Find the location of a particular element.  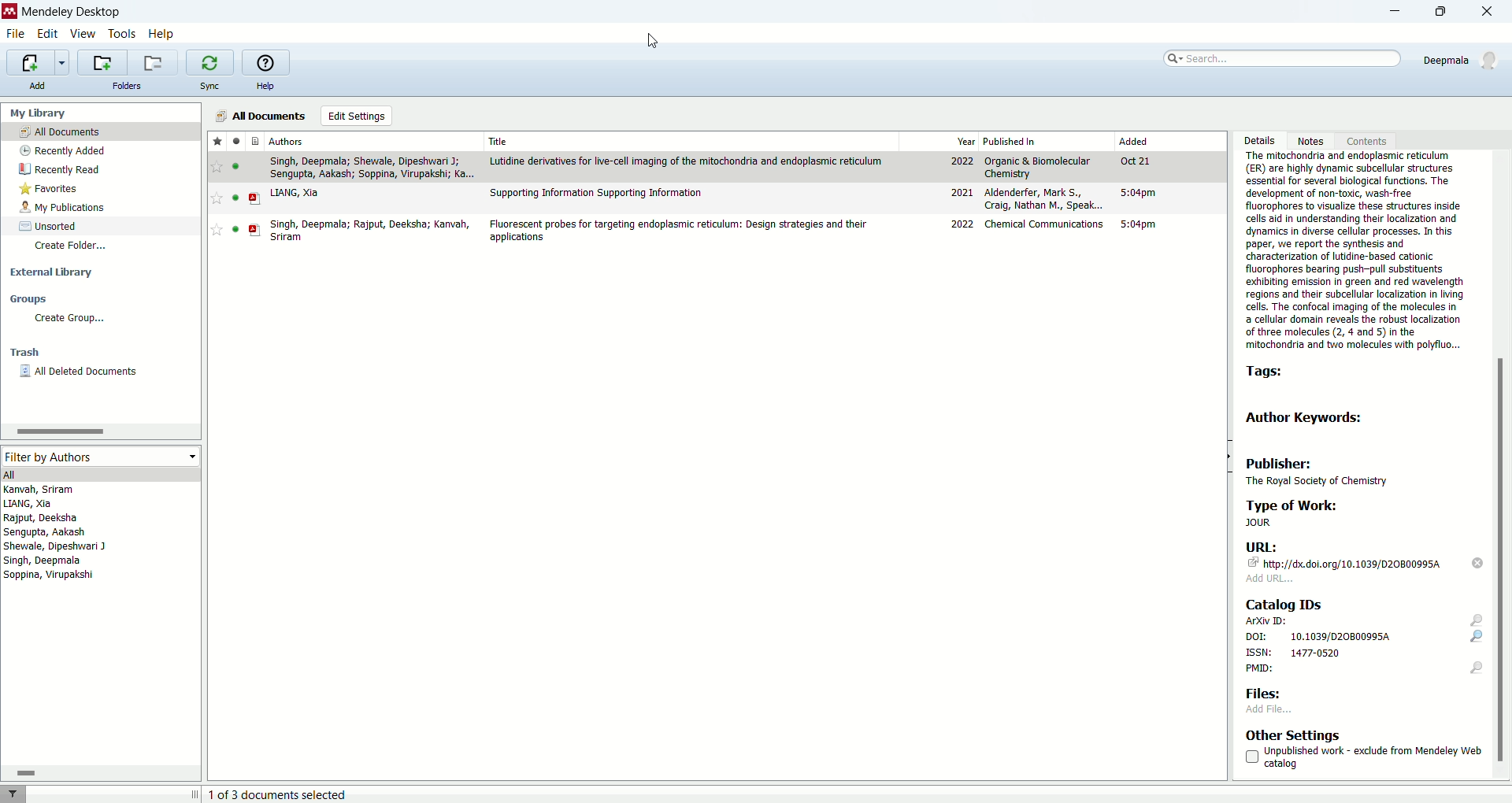

filter by authors is located at coordinates (98, 456).